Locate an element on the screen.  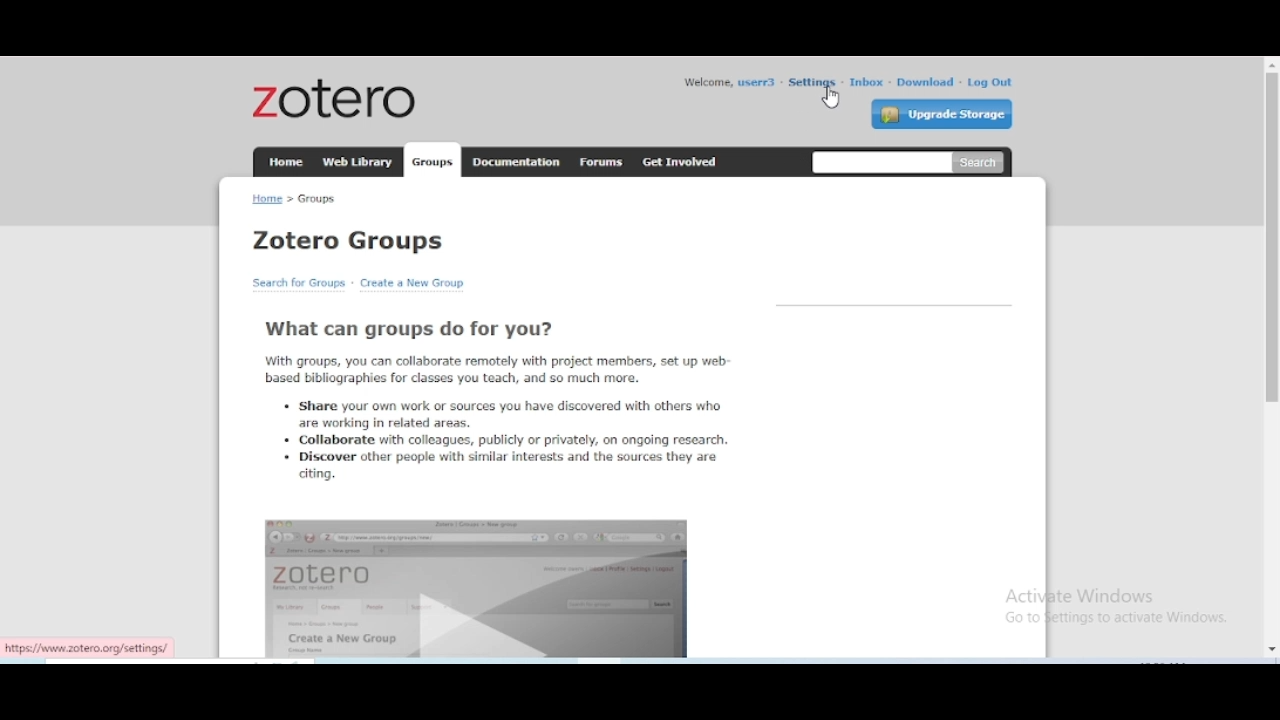
create a new group is located at coordinates (410, 283).